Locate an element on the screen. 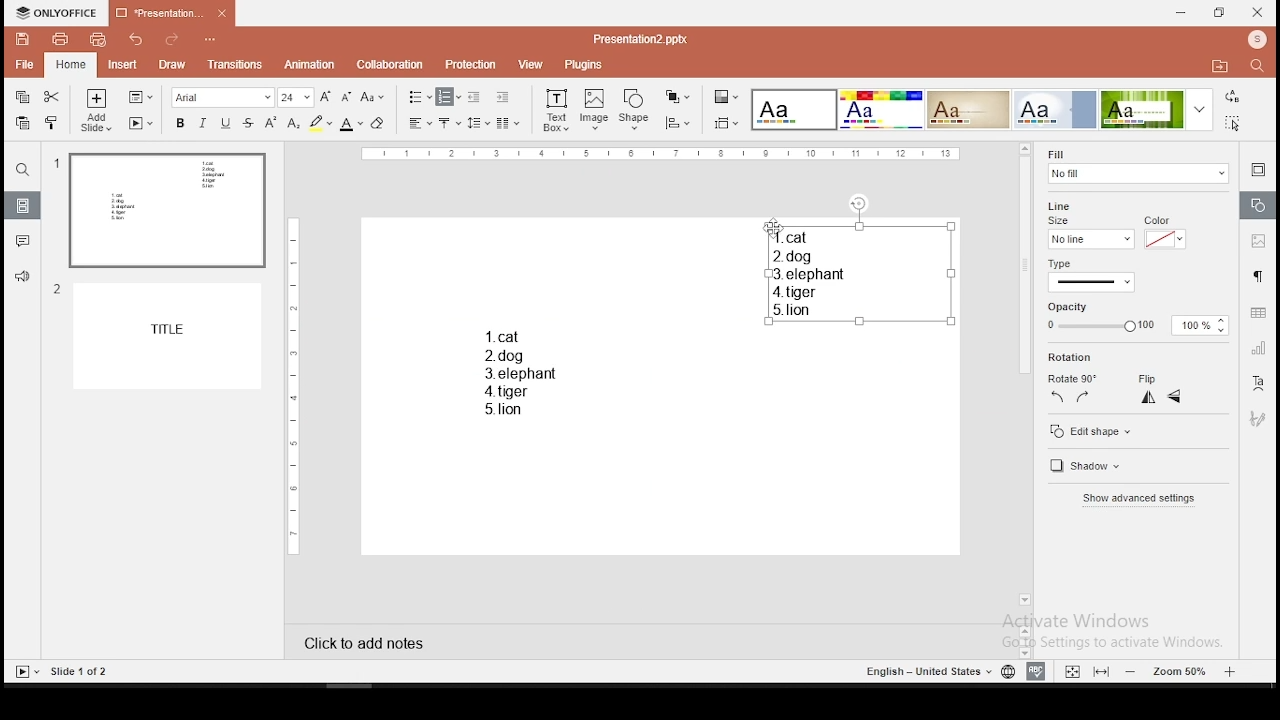 The width and height of the screenshot is (1280, 720). options is located at coordinates (211, 41).